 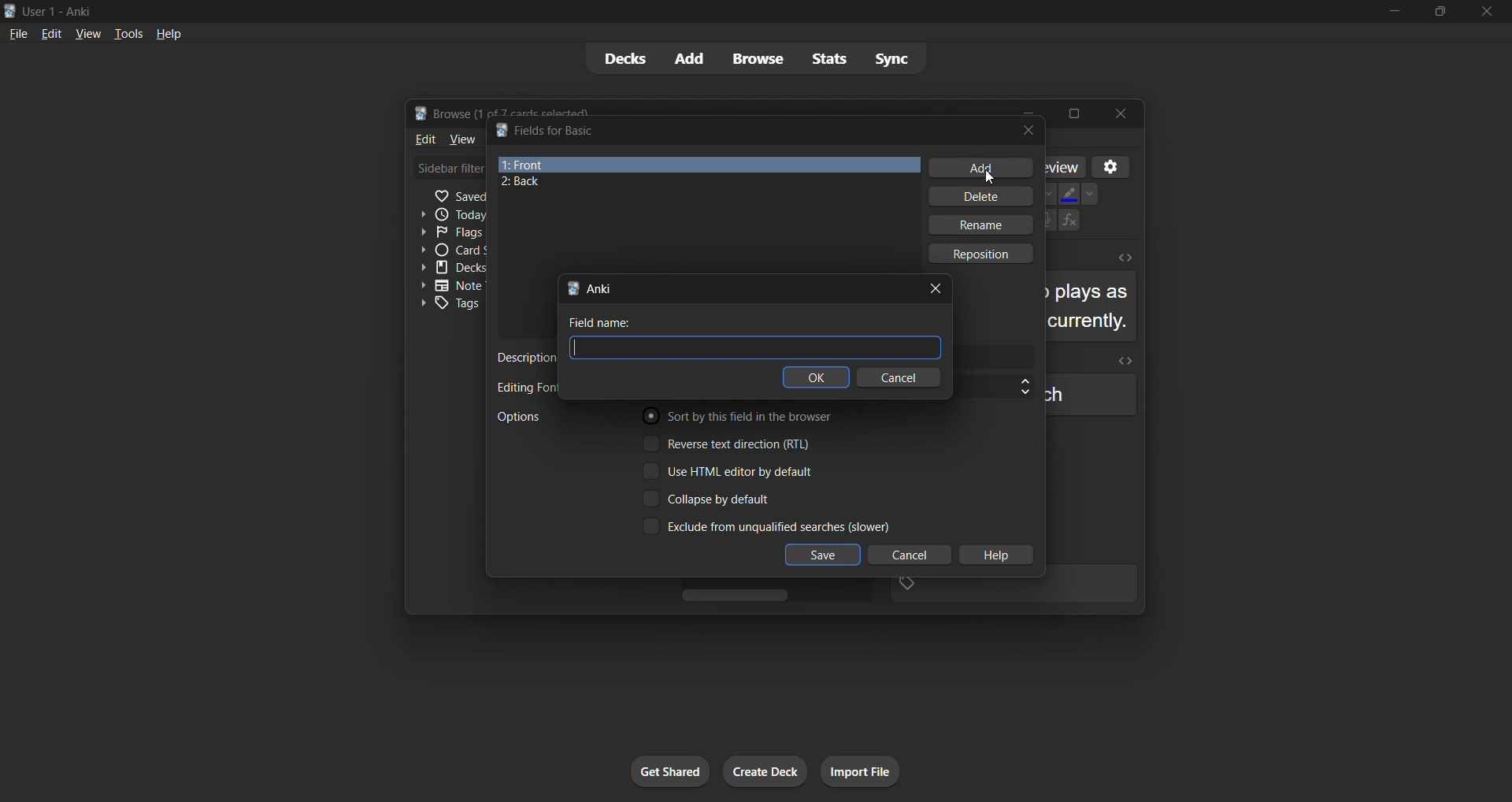 What do you see at coordinates (708, 164) in the screenshot?
I see `front field` at bounding box center [708, 164].